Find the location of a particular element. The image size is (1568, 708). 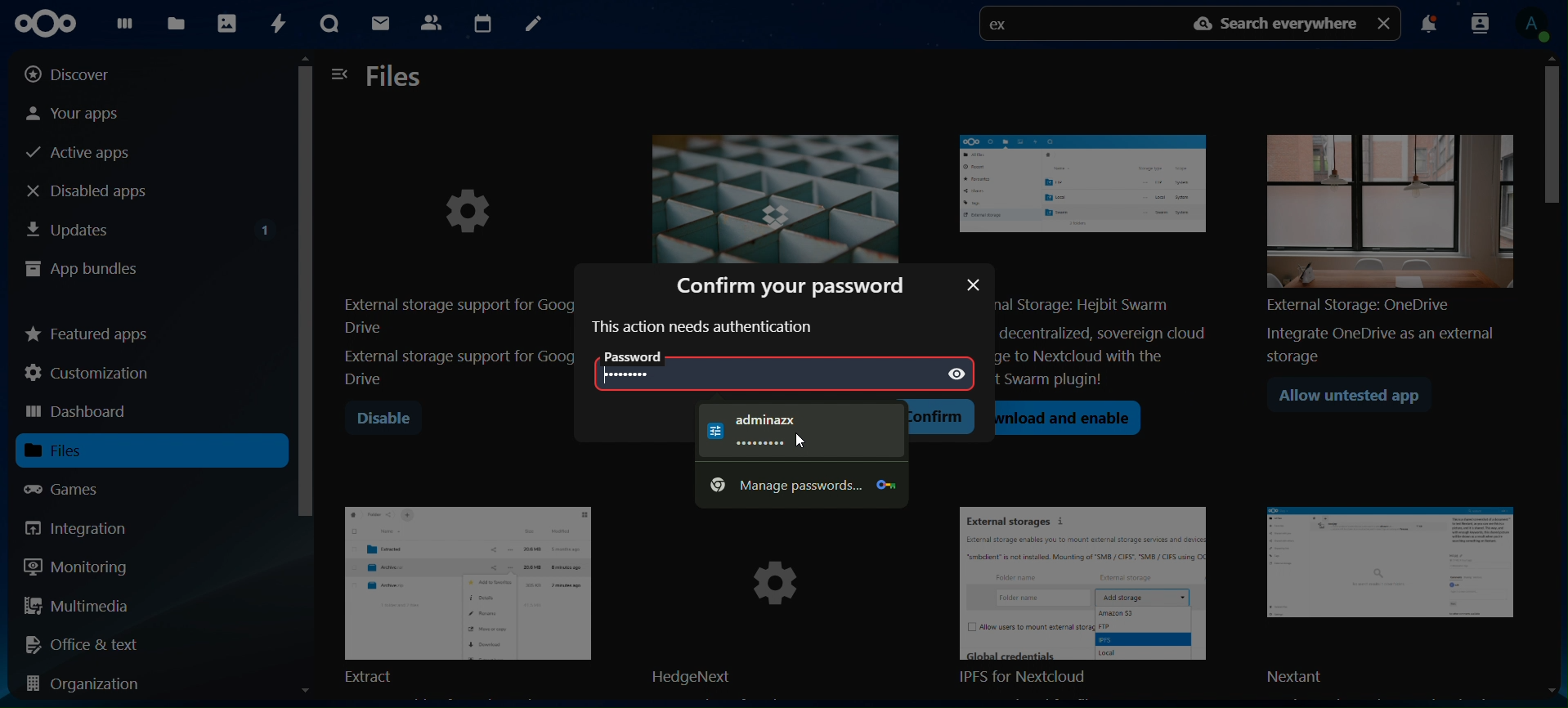

discover is located at coordinates (80, 74).